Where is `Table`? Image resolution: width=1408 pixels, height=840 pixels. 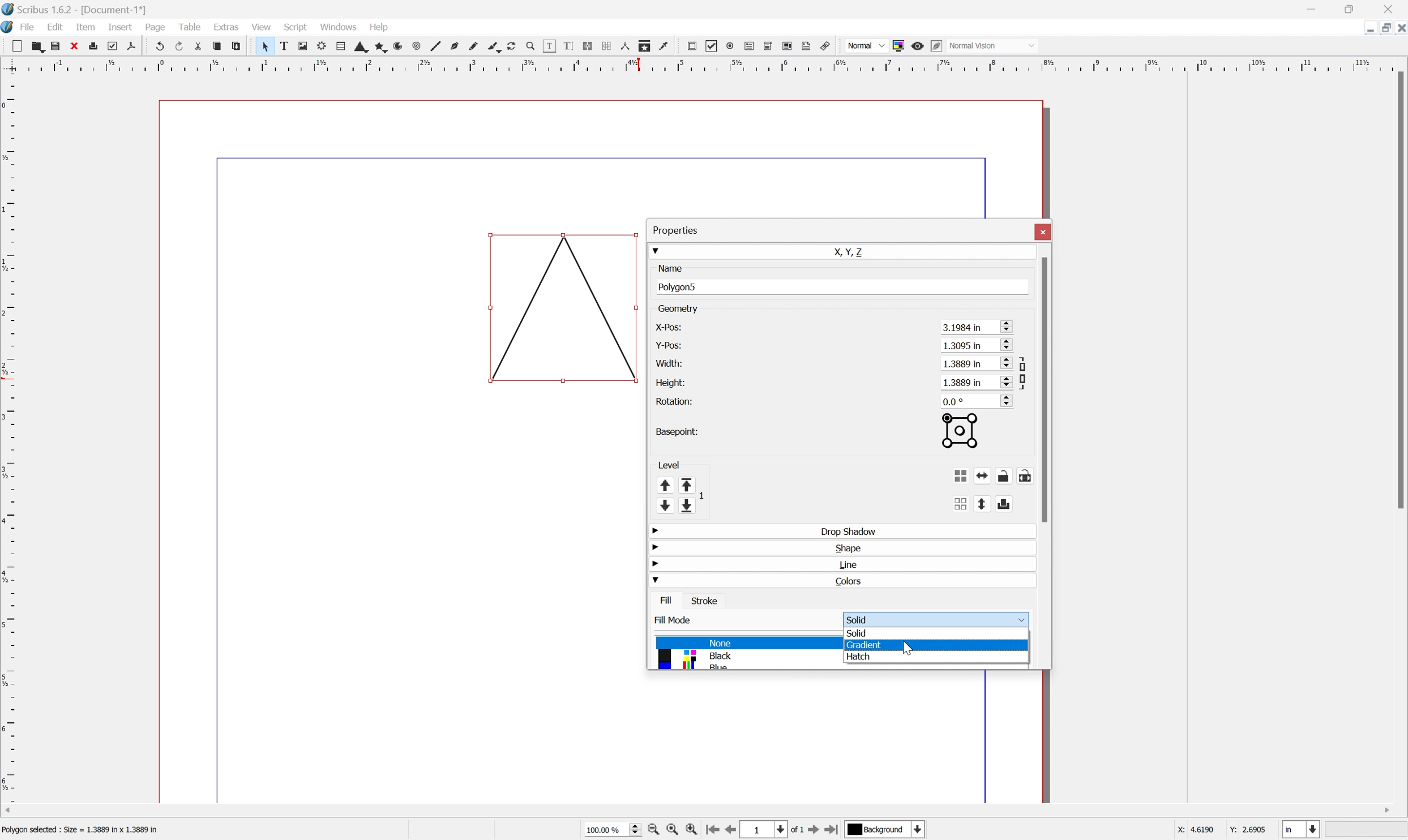 Table is located at coordinates (190, 27).